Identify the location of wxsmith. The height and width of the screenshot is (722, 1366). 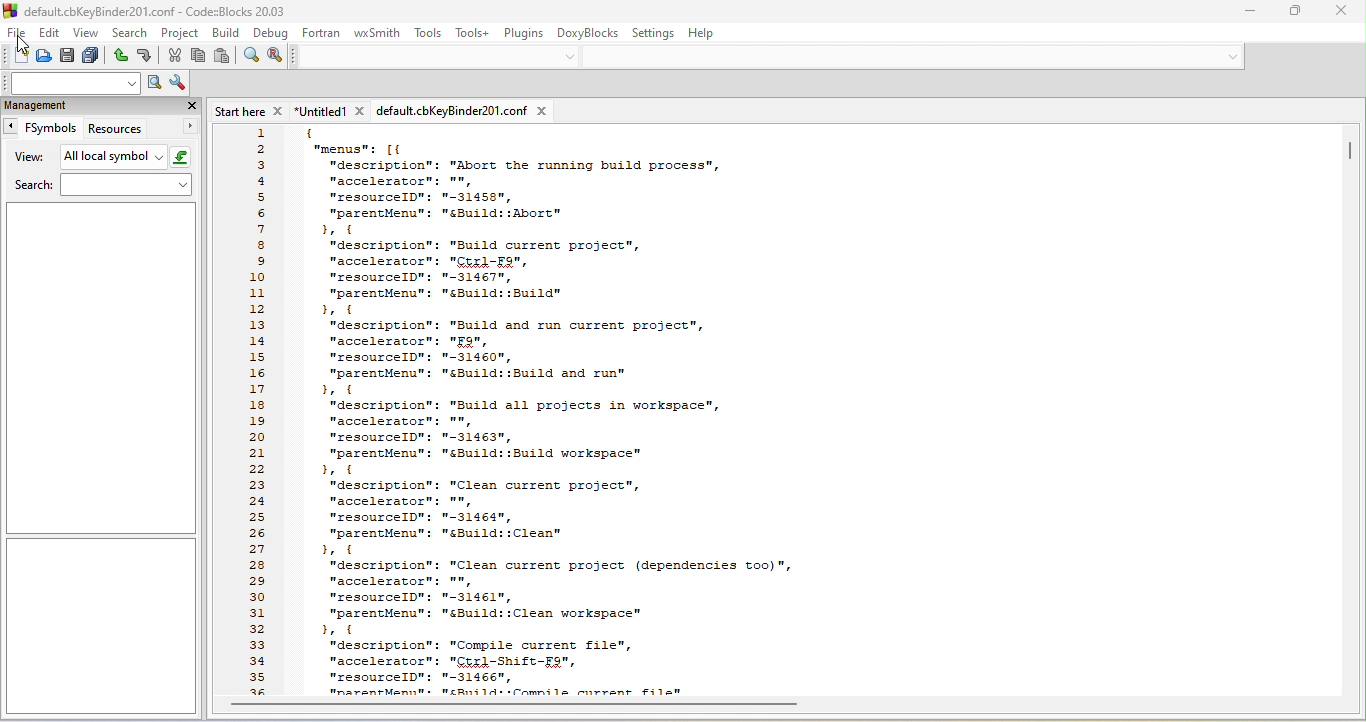
(379, 32).